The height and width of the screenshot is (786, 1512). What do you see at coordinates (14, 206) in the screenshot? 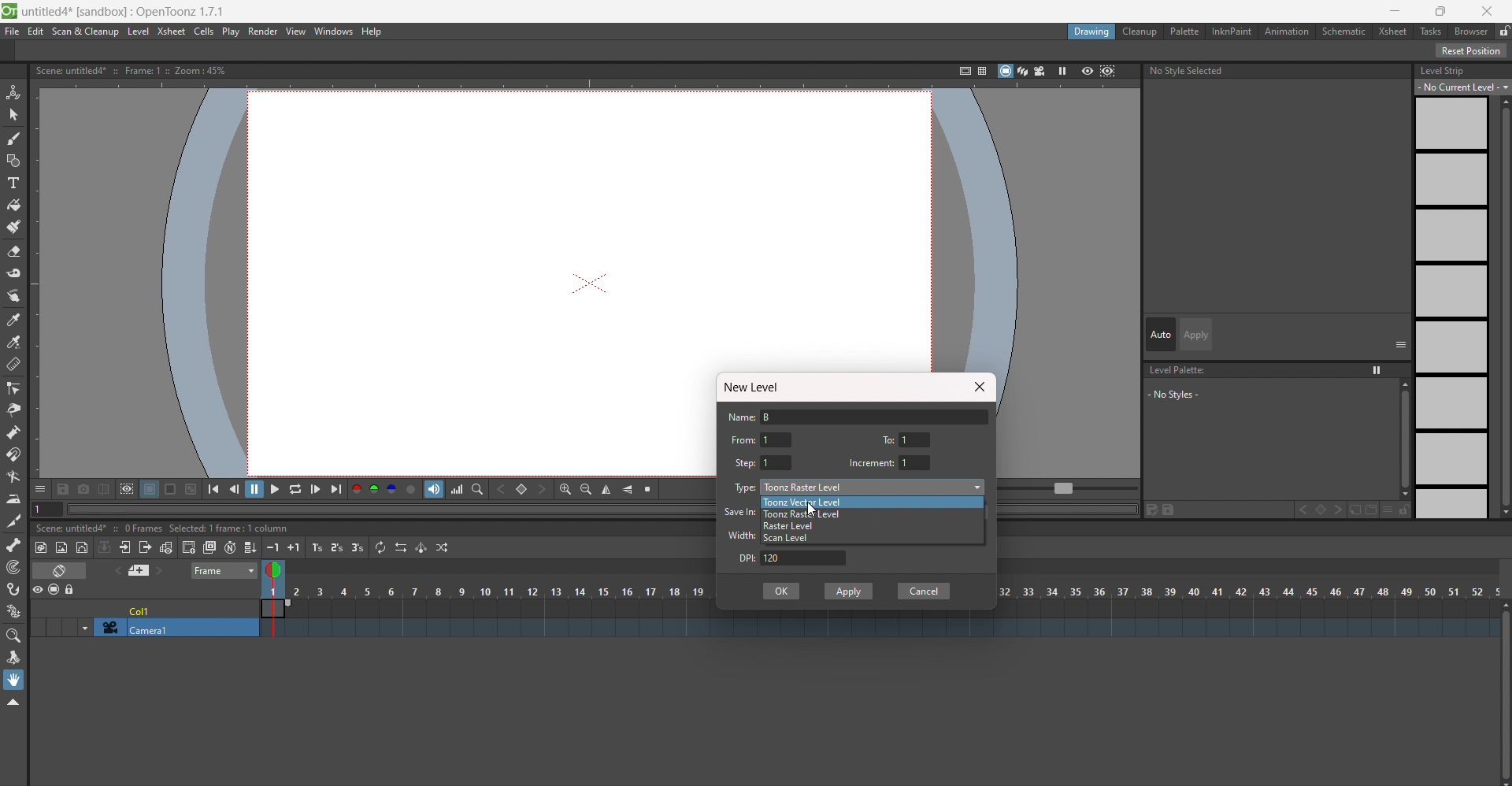
I see `fill tool` at bounding box center [14, 206].